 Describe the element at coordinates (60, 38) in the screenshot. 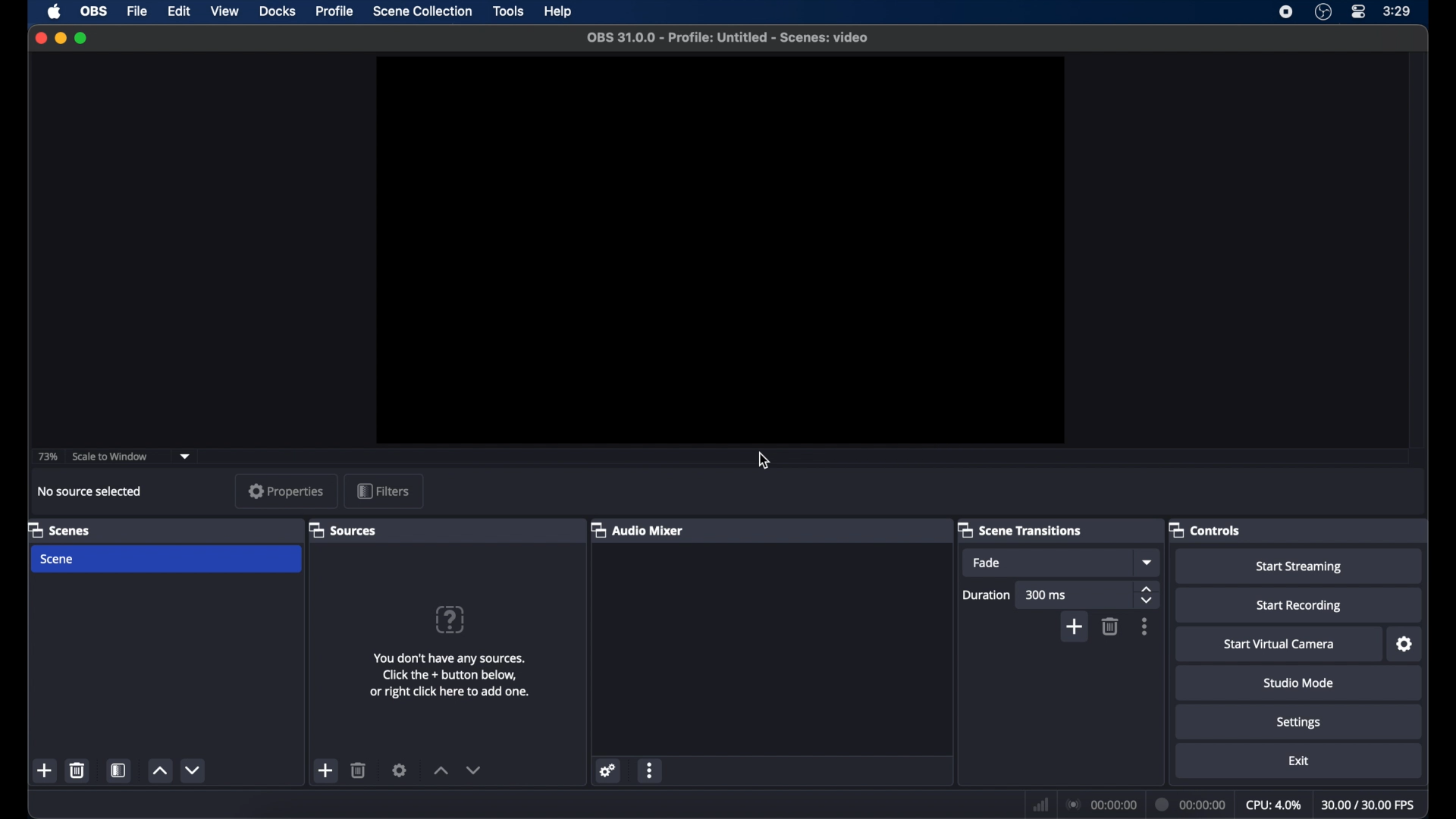

I see `minimize` at that location.